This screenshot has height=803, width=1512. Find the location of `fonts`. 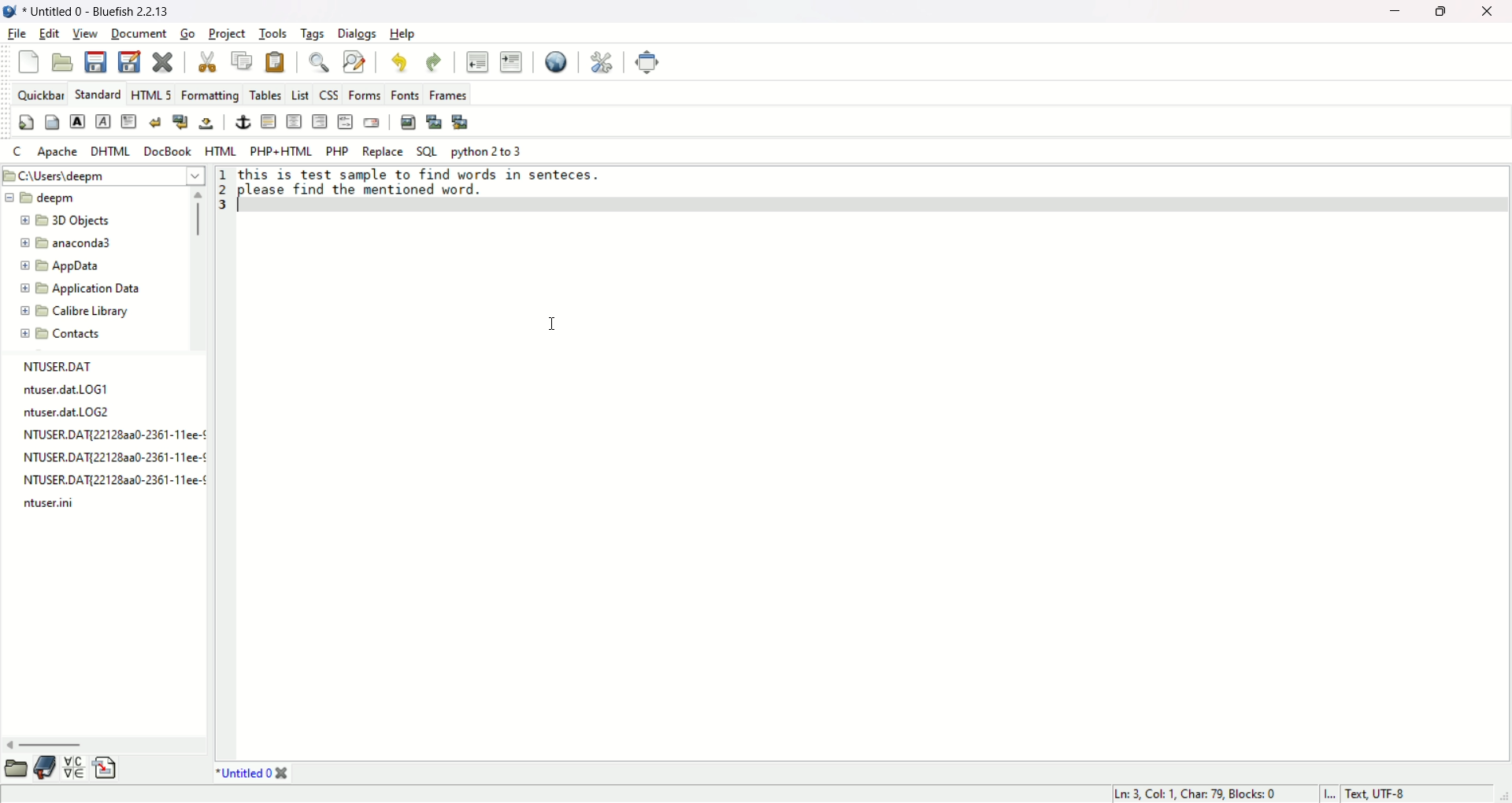

fonts is located at coordinates (402, 94).